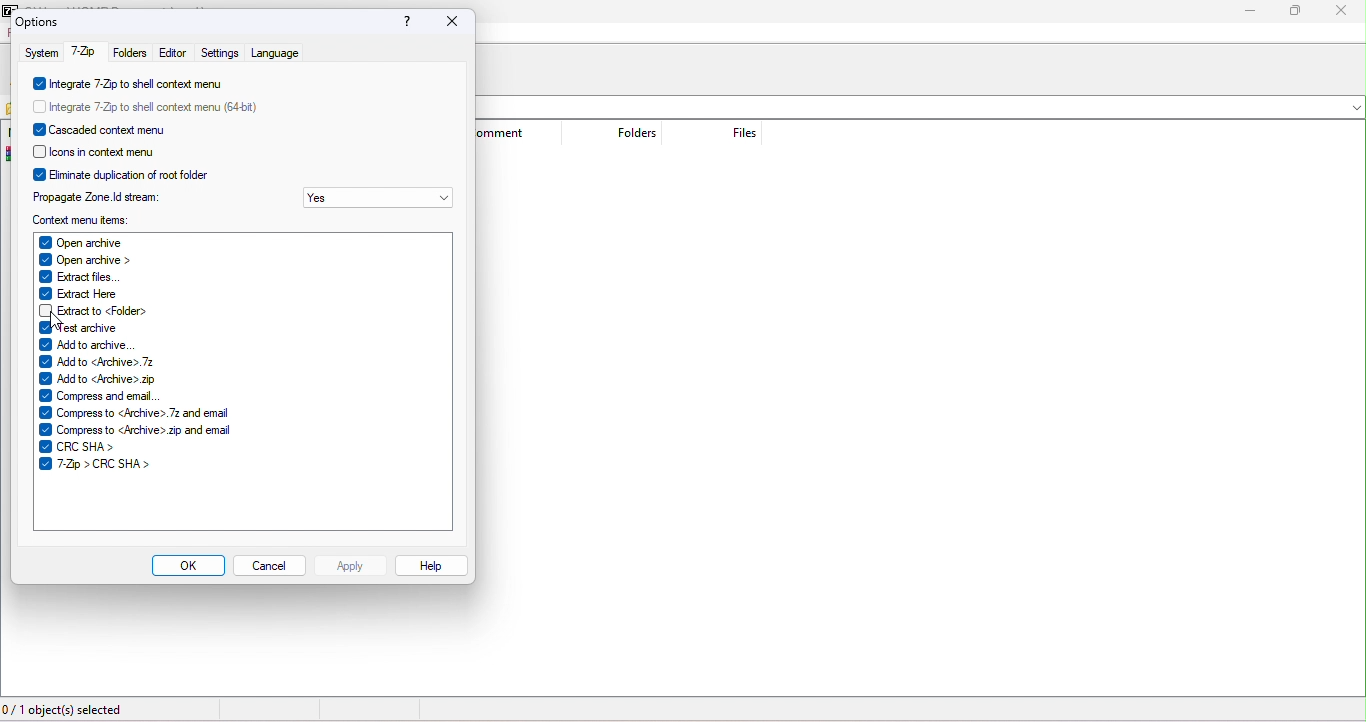  Describe the element at coordinates (379, 199) in the screenshot. I see `yes` at that location.